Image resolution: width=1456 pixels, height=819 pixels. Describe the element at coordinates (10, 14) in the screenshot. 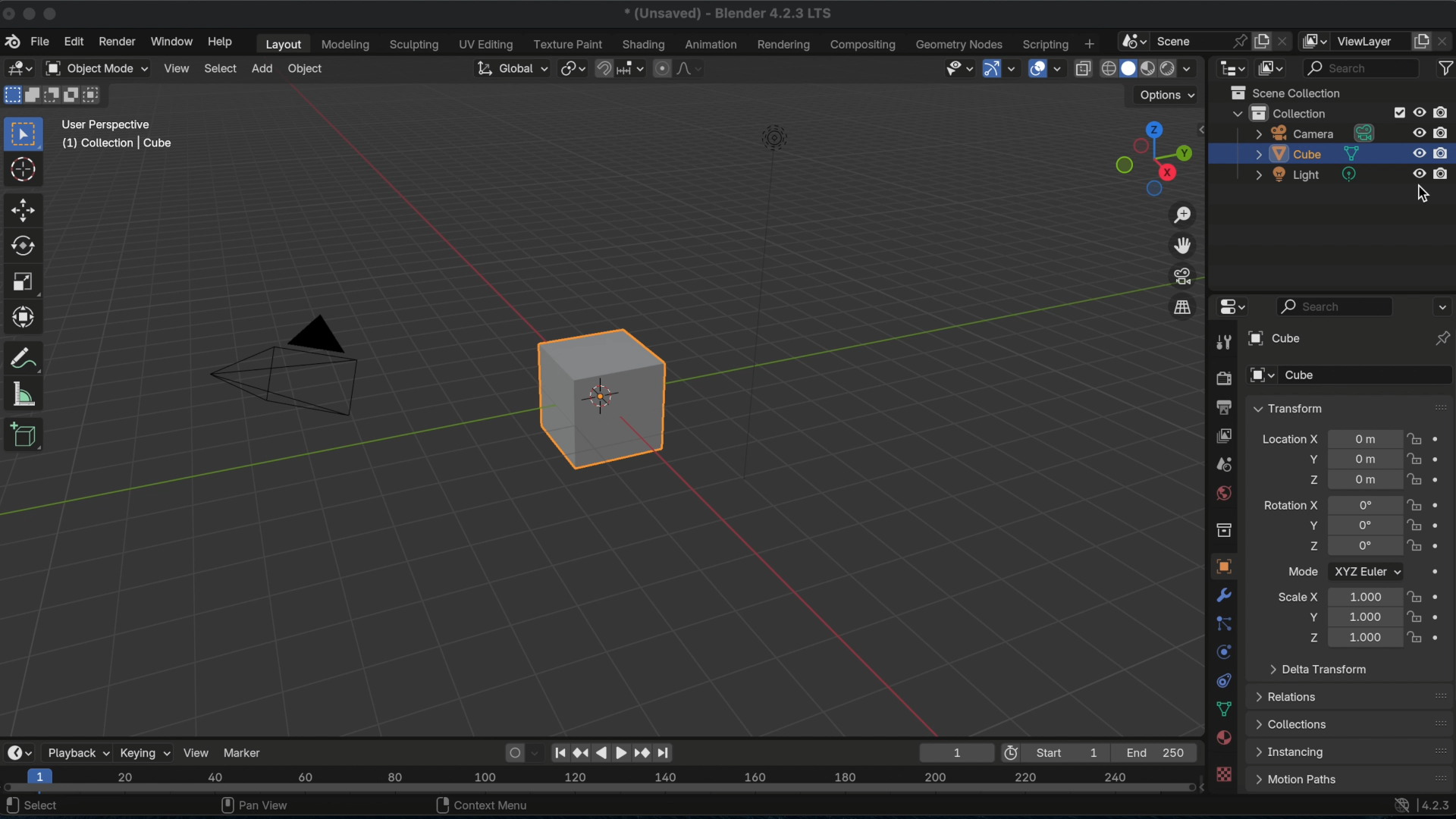

I see `disabled close icon` at that location.